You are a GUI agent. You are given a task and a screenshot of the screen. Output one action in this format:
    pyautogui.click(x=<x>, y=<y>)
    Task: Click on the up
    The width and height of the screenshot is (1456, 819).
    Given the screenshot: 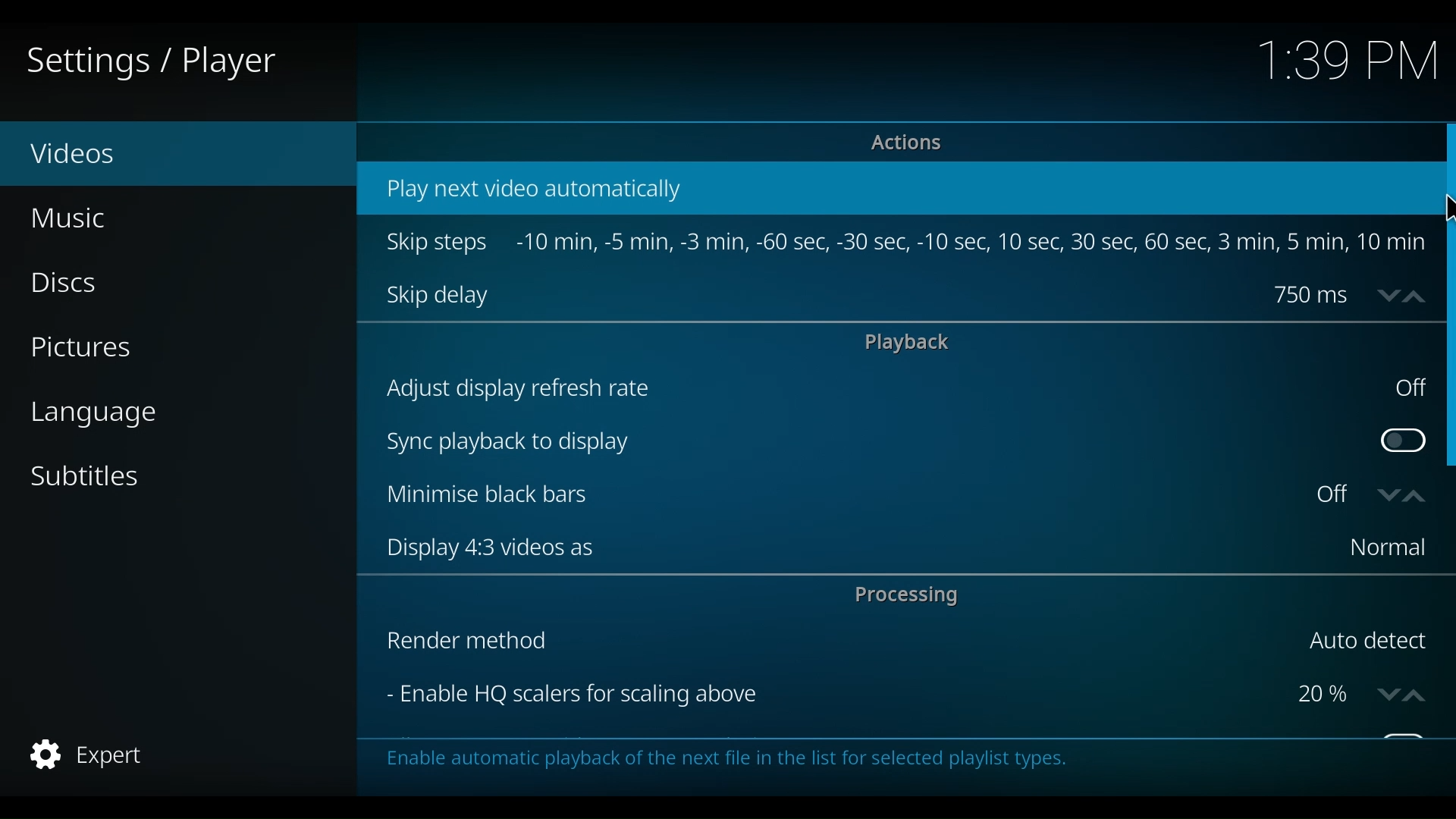 What is the action you would take?
    pyautogui.click(x=1421, y=295)
    